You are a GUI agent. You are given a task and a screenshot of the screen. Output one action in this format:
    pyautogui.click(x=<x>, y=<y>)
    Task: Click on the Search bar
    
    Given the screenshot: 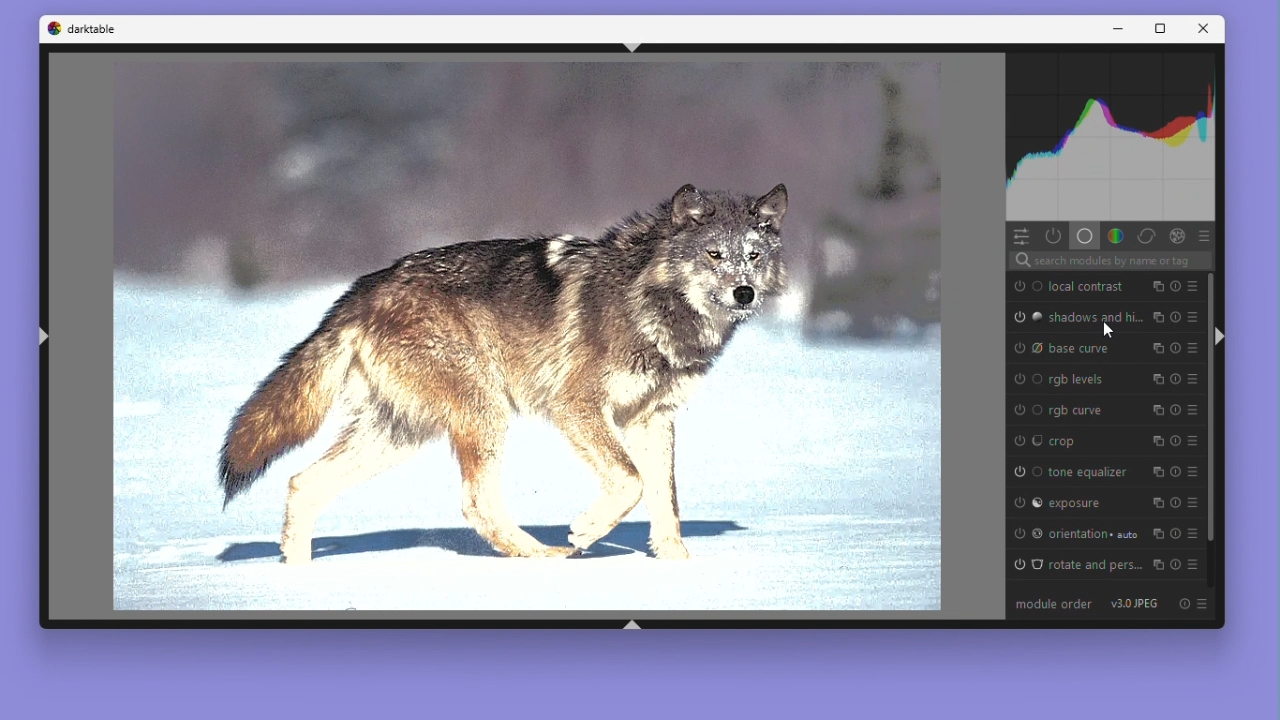 What is the action you would take?
    pyautogui.click(x=1112, y=261)
    